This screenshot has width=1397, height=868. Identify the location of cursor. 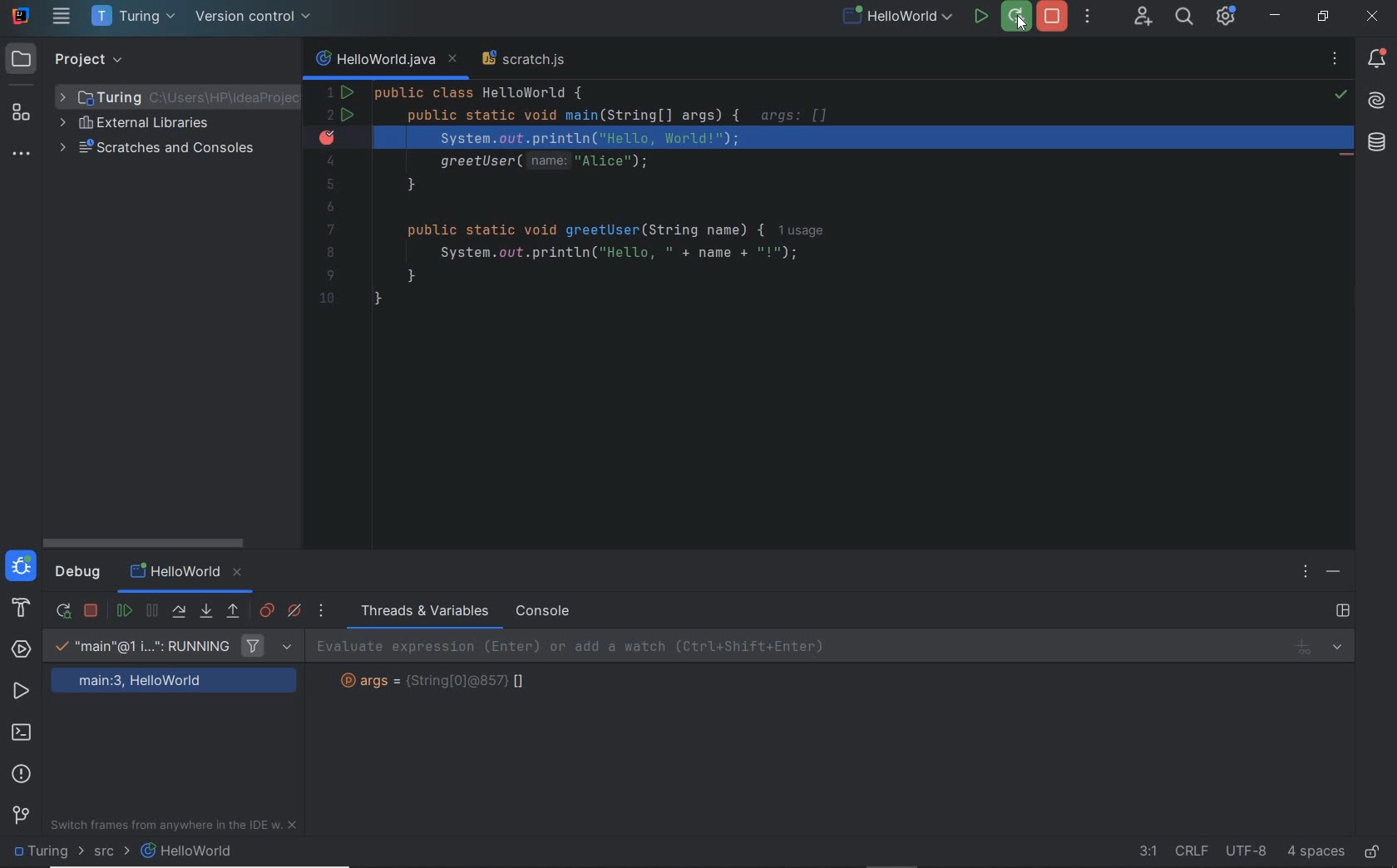
(1021, 26).